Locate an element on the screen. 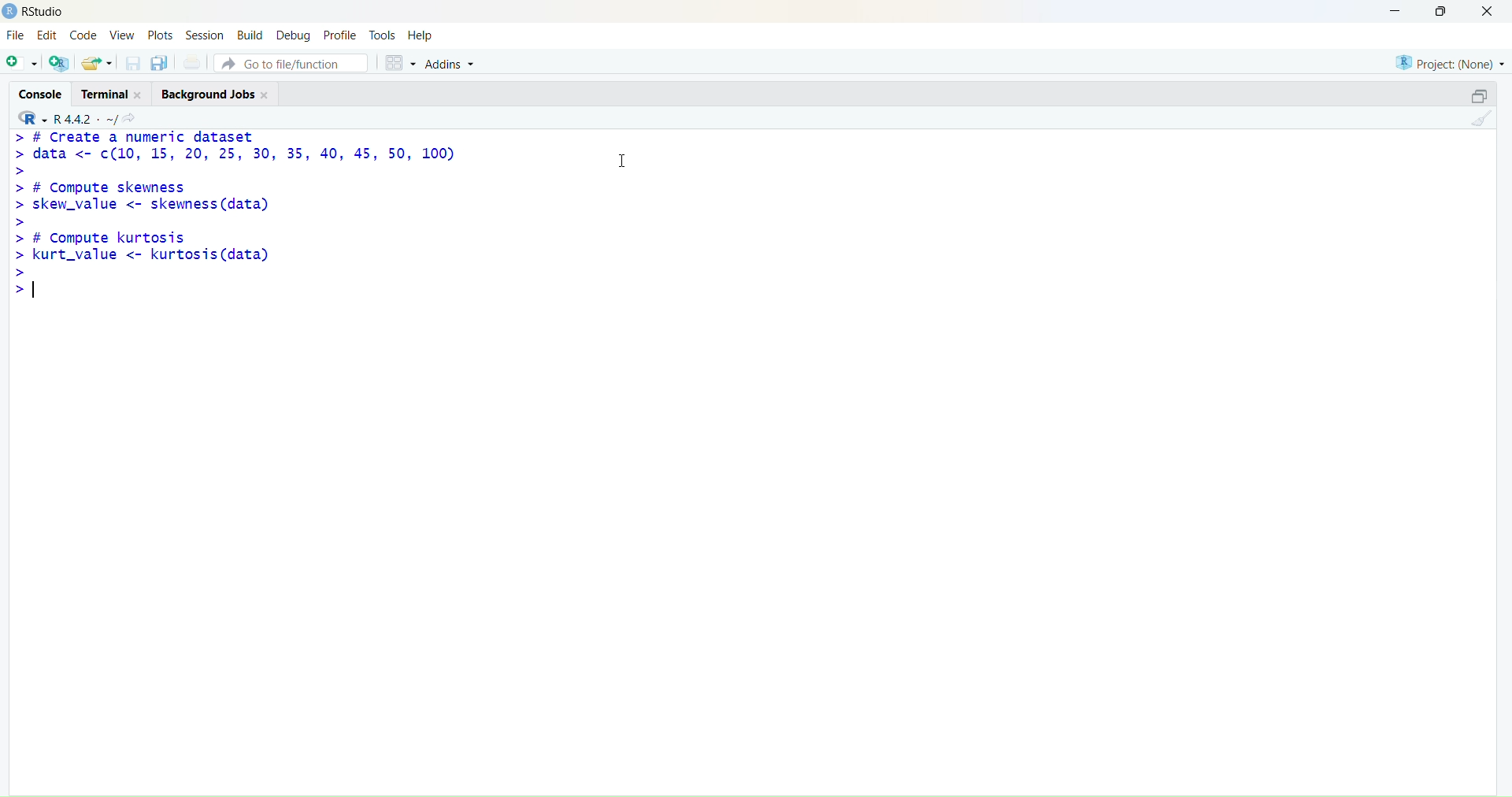  R.4.4.2~/ is located at coordinates (83, 118).